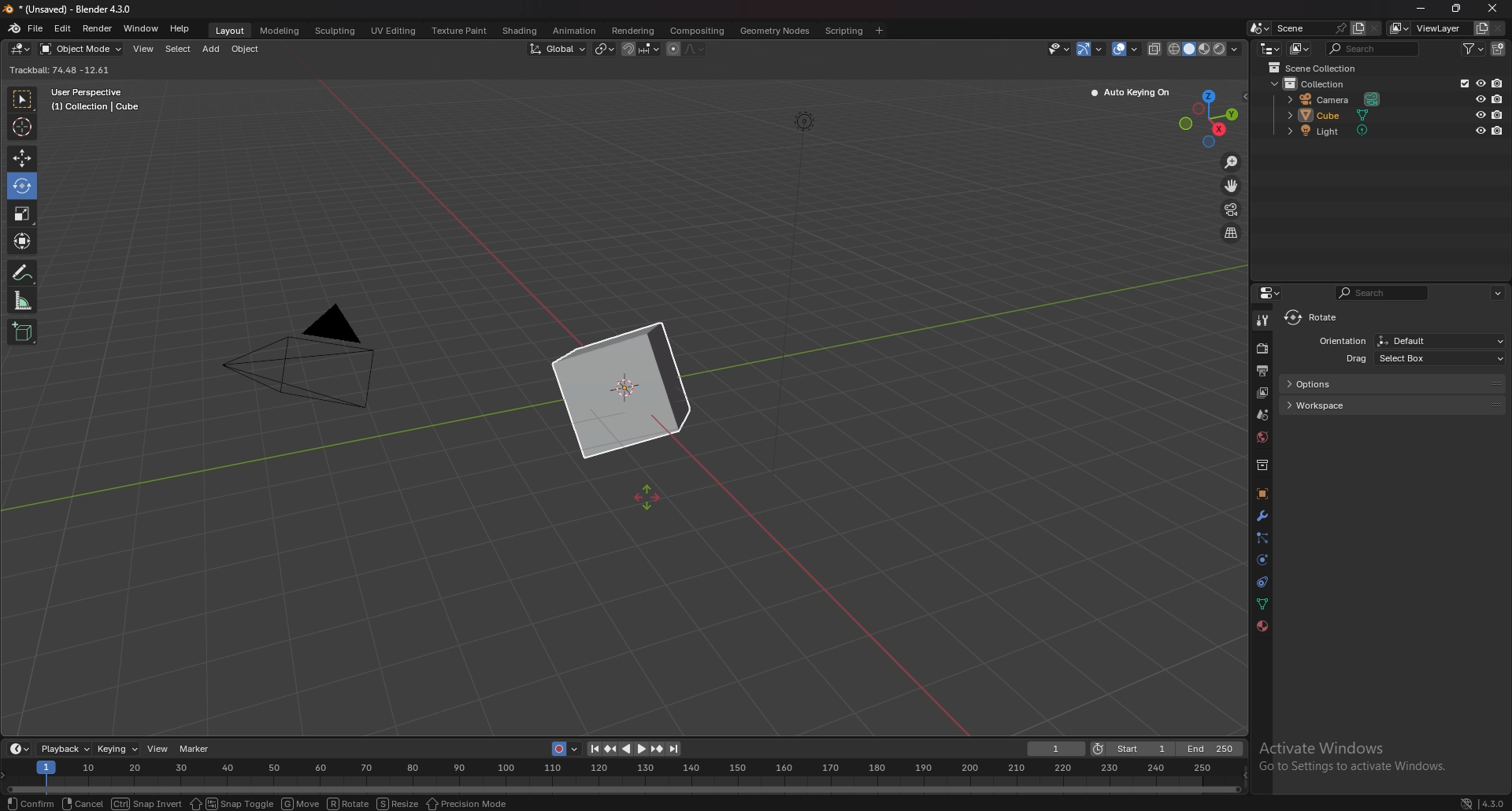 The width and height of the screenshot is (1512, 811). I want to click on camera view, so click(1232, 209).